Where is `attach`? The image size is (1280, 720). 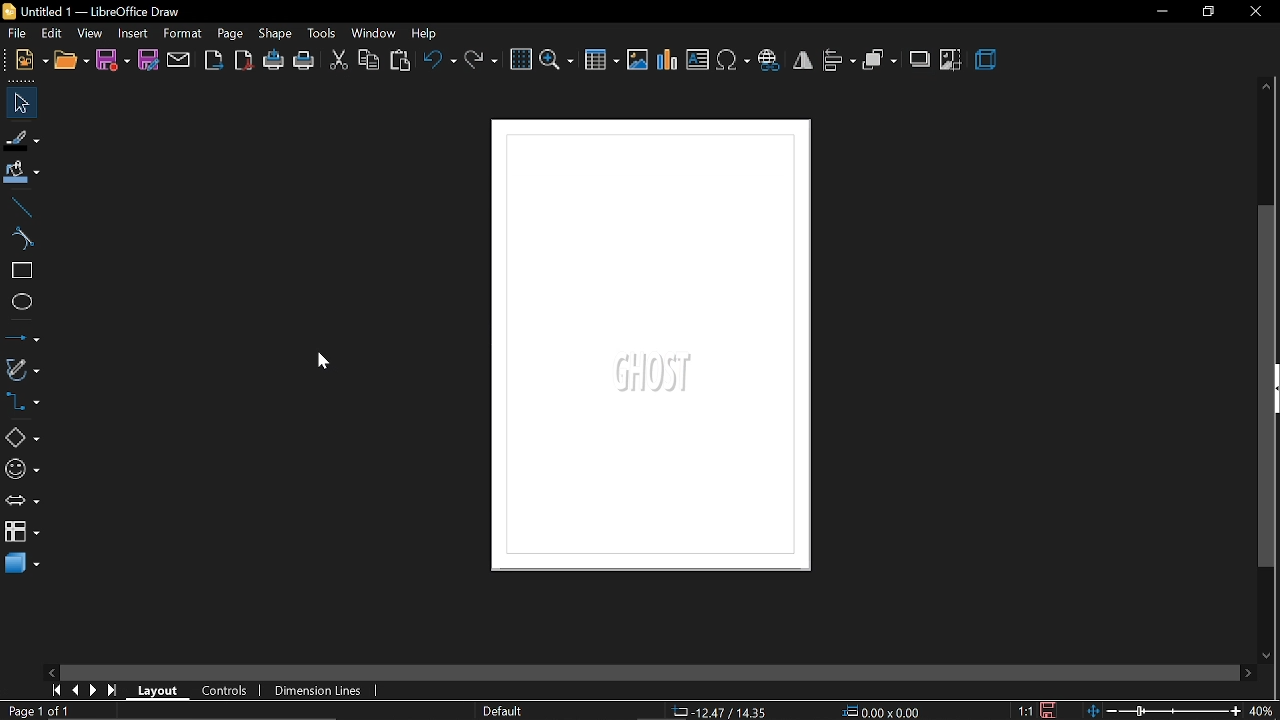
attach is located at coordinates (179, 62).